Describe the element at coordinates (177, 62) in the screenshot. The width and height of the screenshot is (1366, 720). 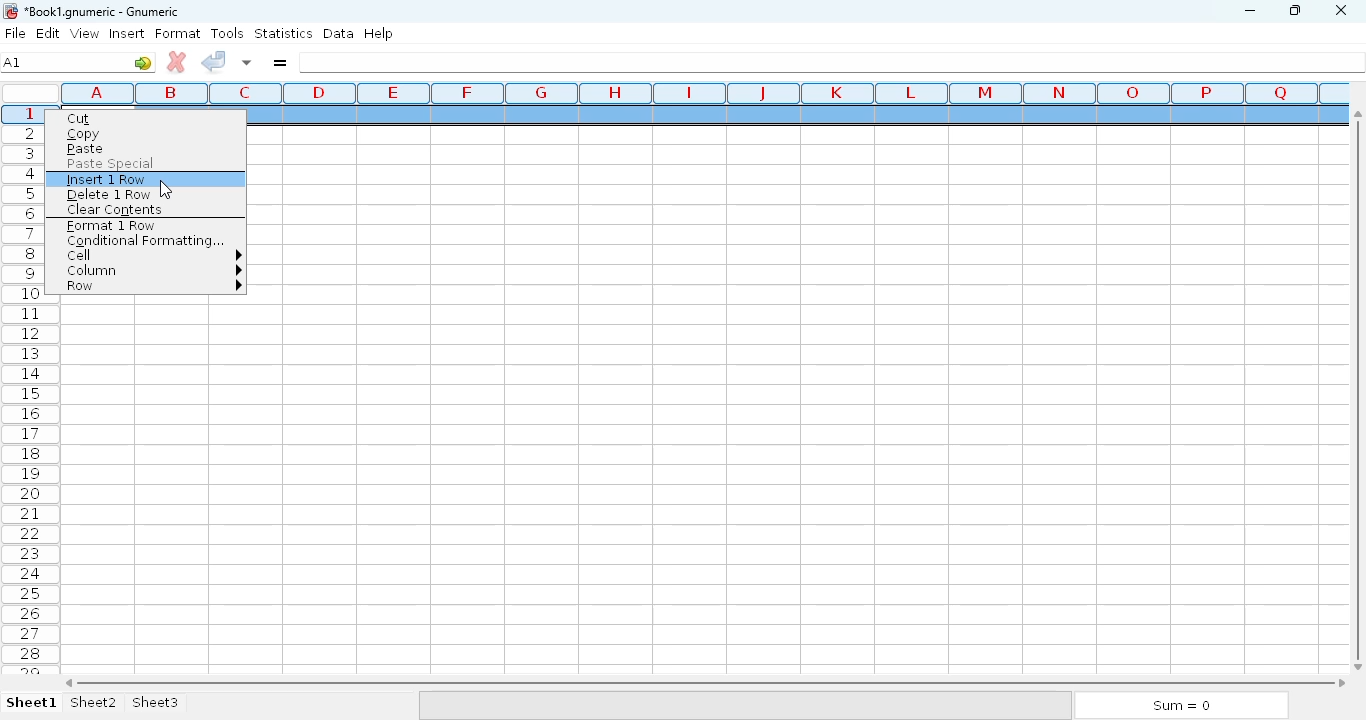
I see `cancel change` at that location.